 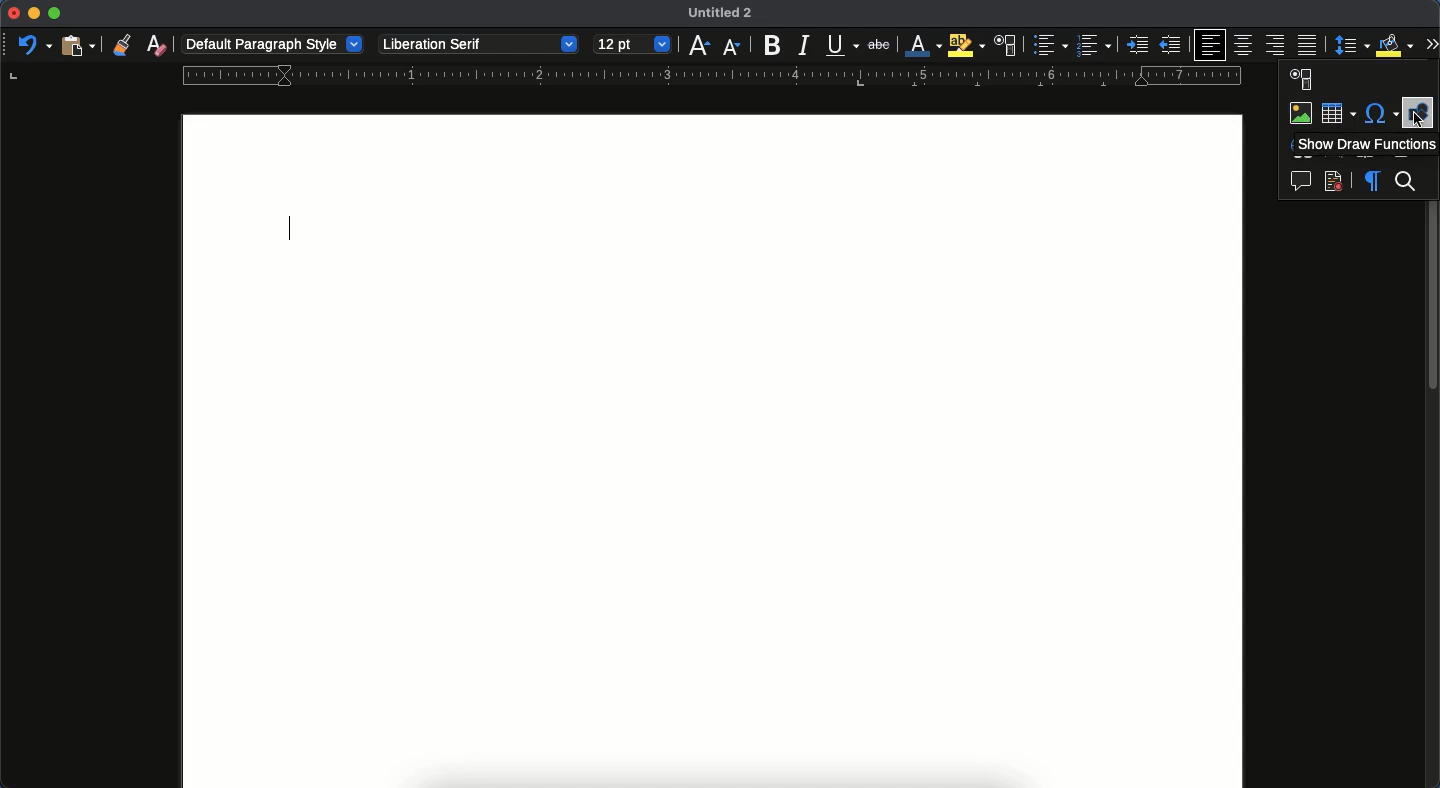 I want to click on unident, so click(x=1168, y=46).